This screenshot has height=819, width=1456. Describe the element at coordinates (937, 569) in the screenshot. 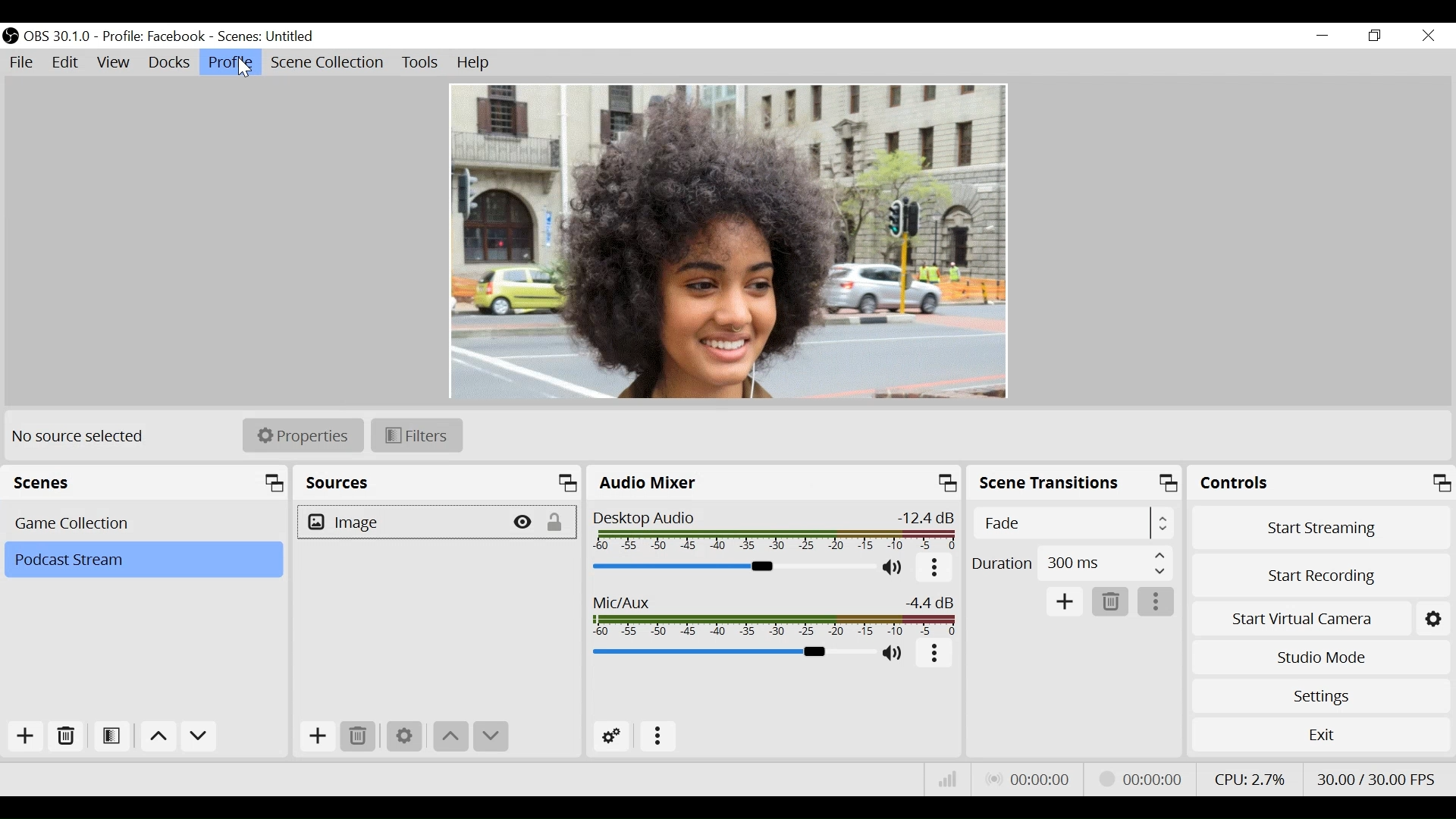

I see `More options` at that location.